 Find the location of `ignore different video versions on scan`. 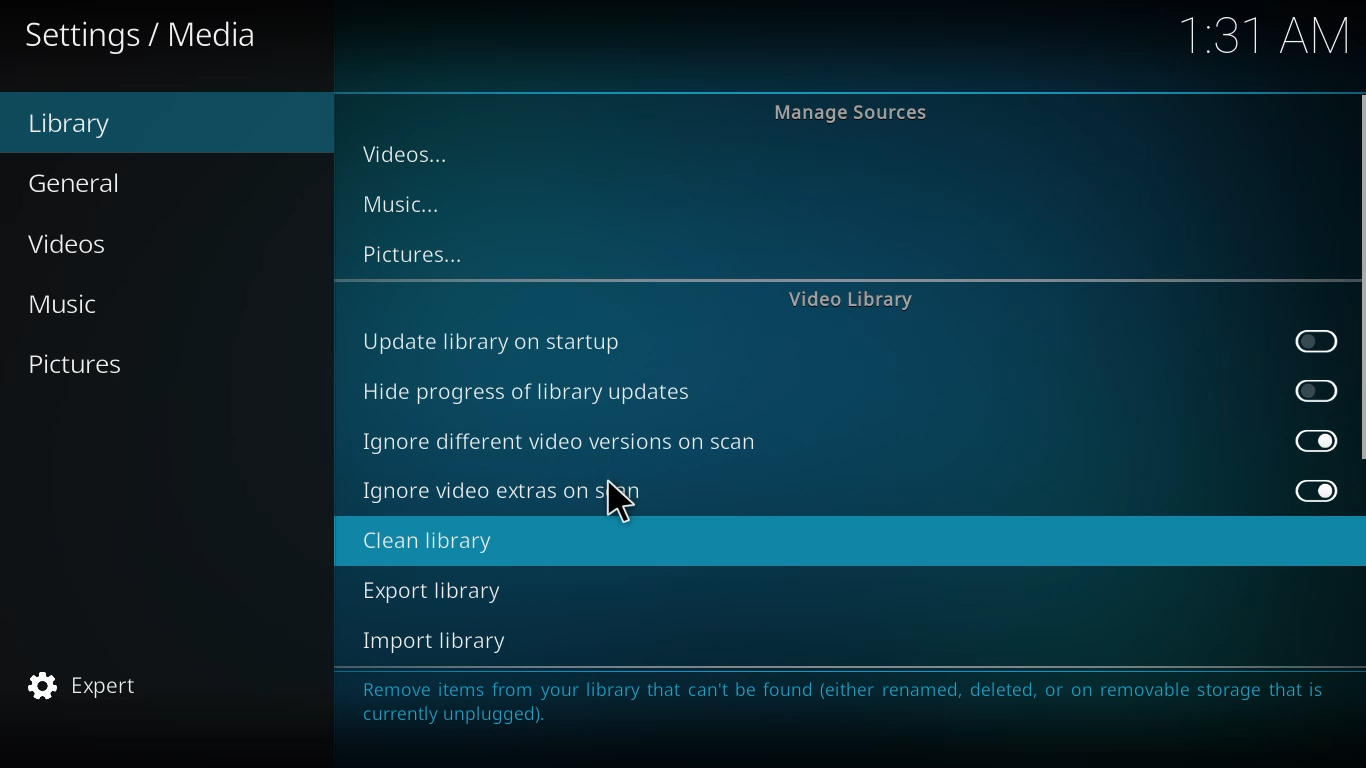

ignore different video versions on scan is located at coordinates (564, 444).